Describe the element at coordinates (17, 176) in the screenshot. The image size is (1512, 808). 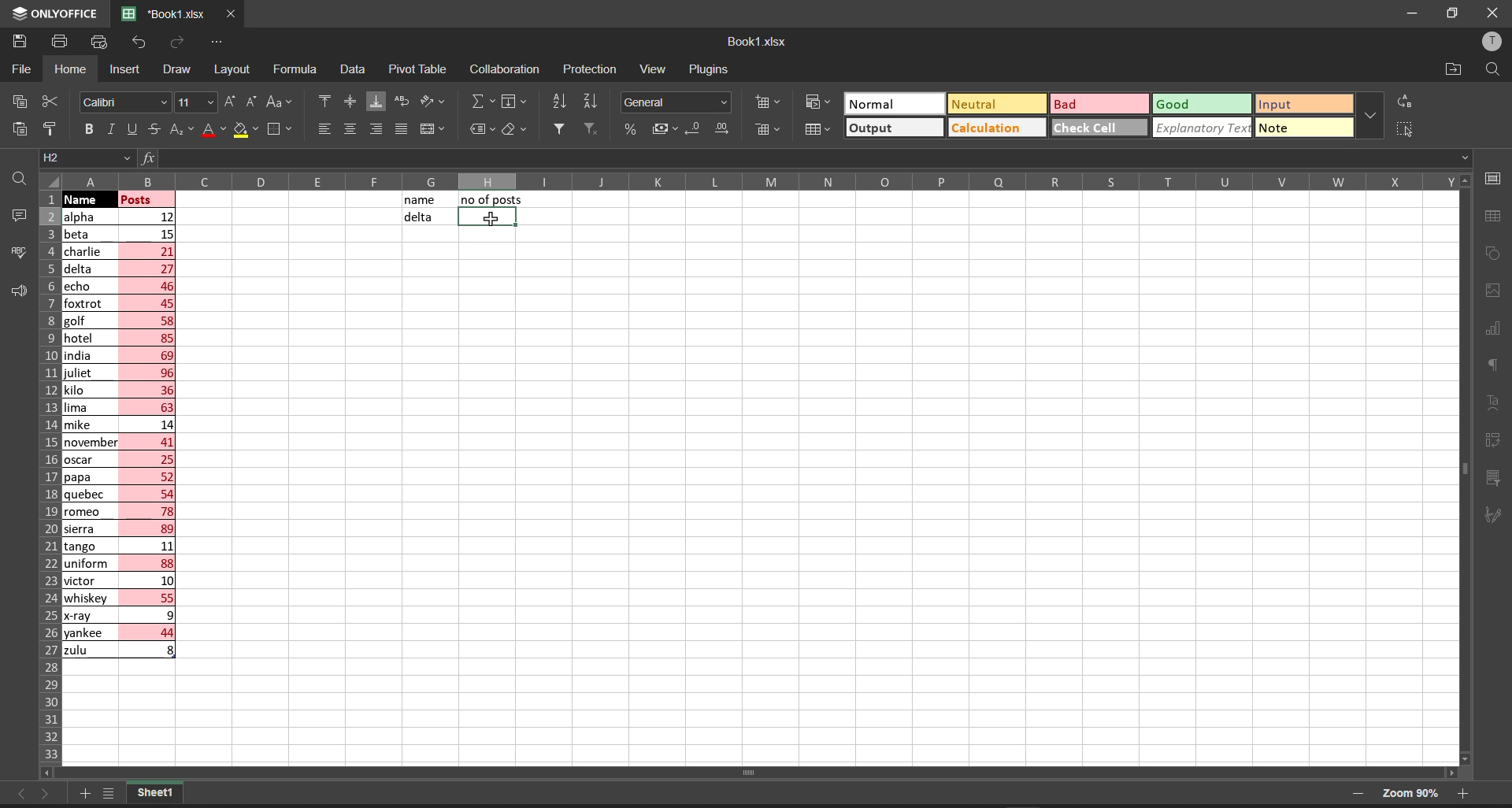
I see `find` at that location.